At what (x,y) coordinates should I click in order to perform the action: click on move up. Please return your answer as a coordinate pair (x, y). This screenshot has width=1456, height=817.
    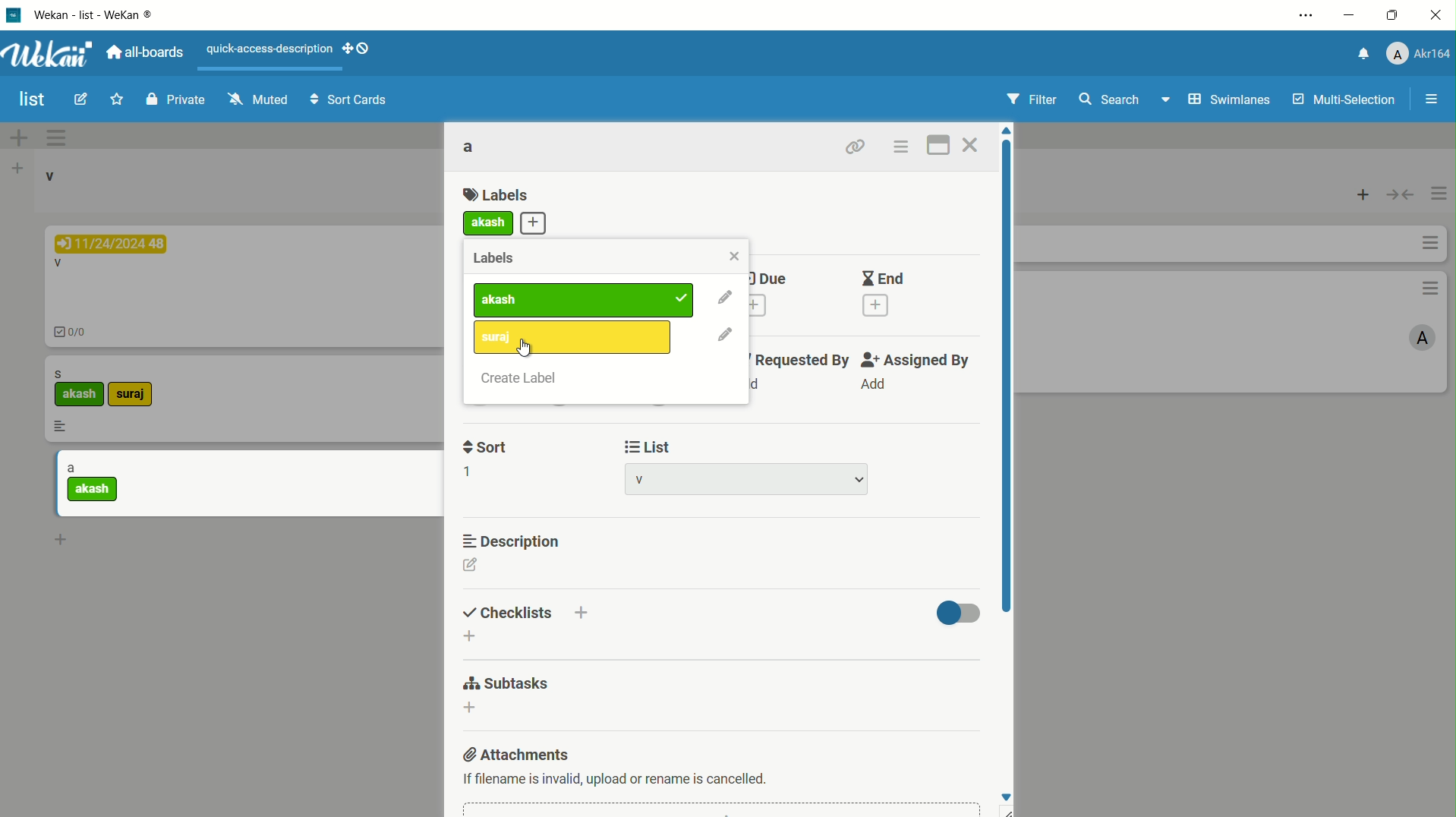
    Looking at the image, I should click on (1006, 131).